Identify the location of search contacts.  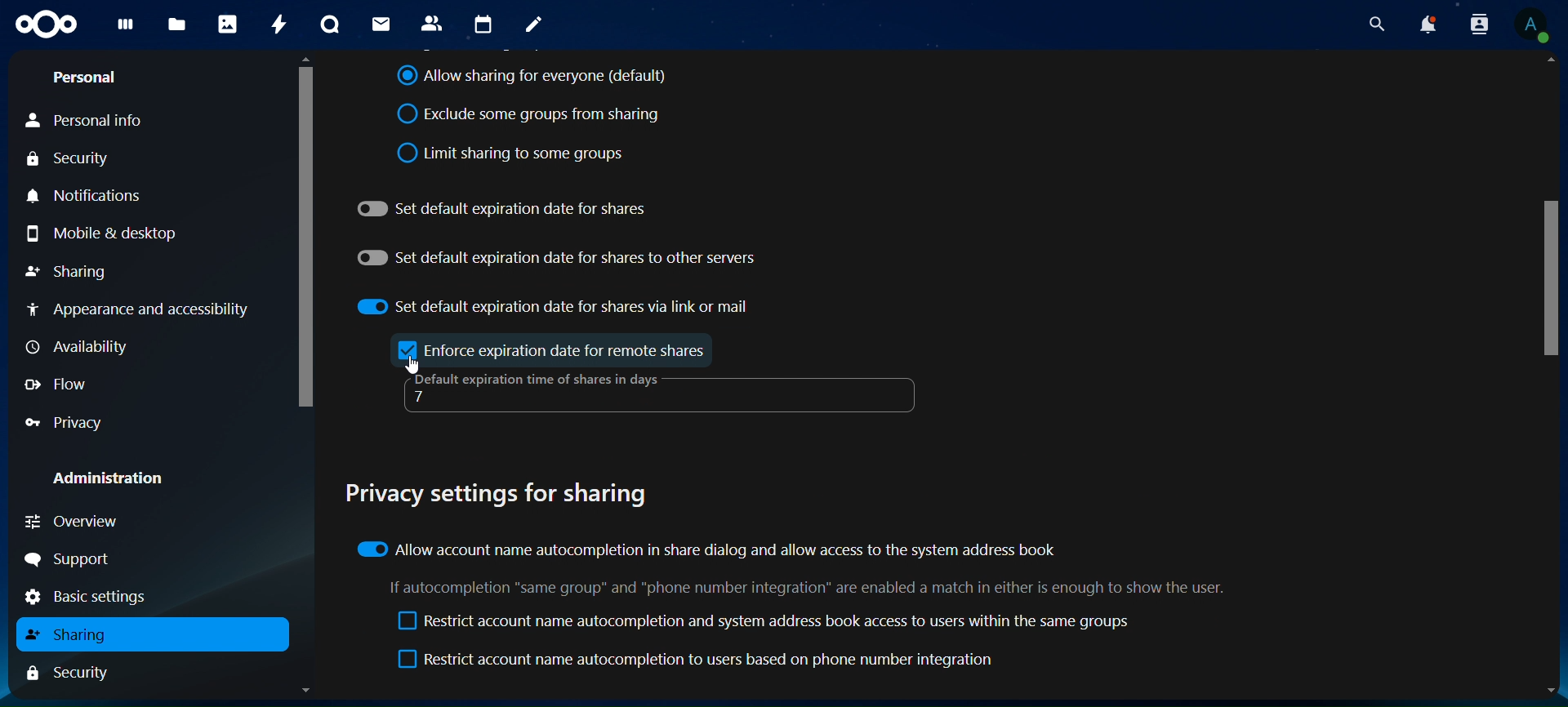
(1478, 25).